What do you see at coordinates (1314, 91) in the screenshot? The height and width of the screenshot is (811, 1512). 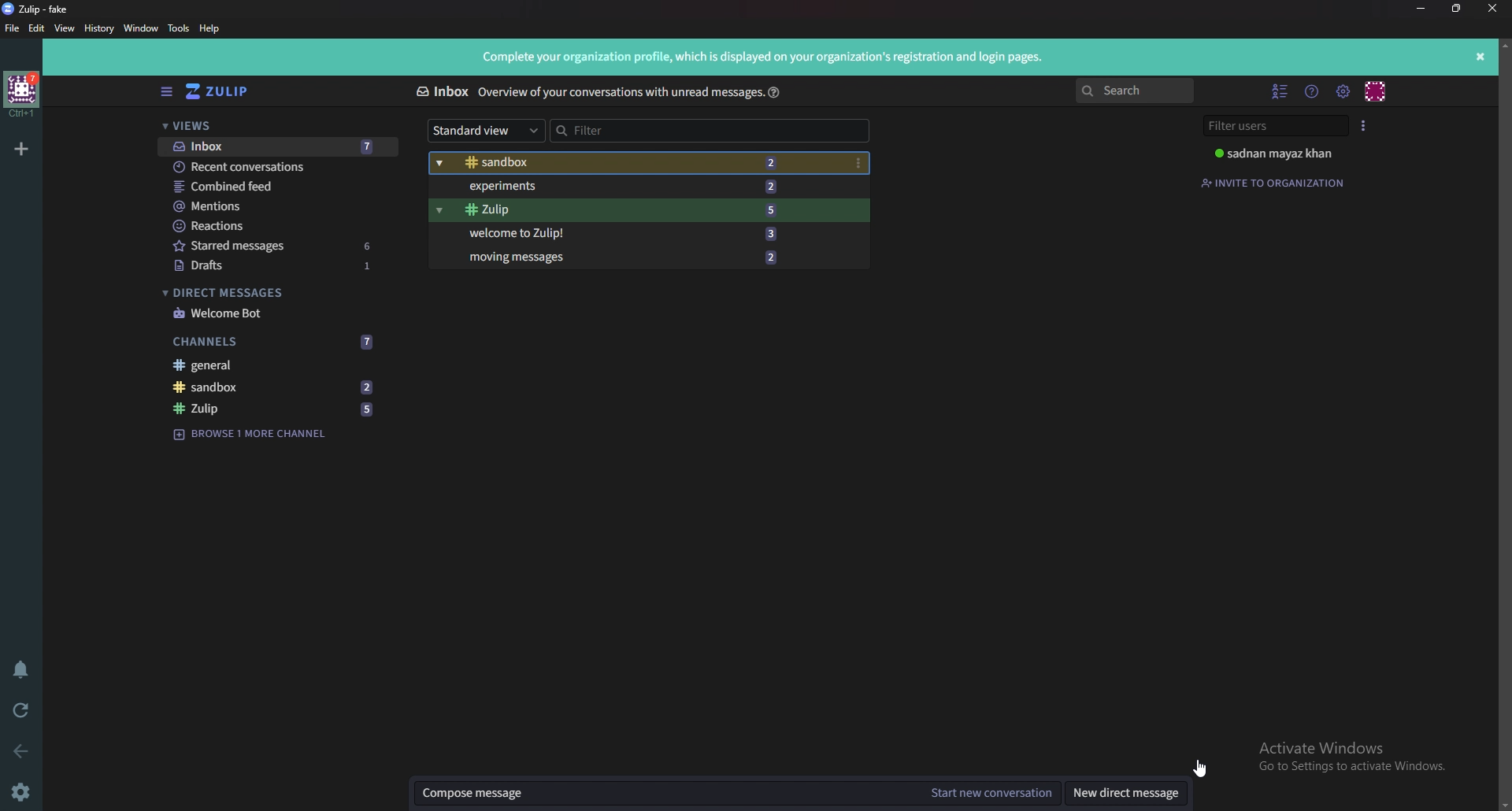 I see `help menu` at bounding box center [1314, 91].